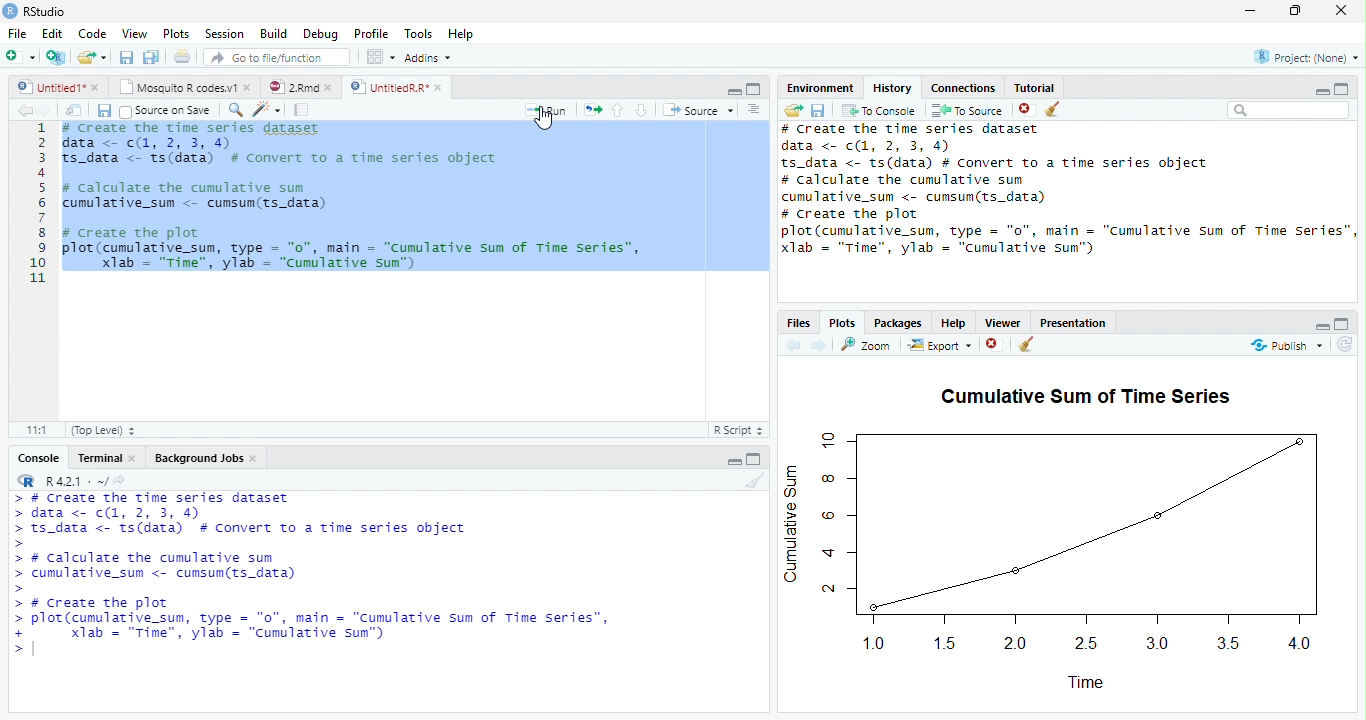 This screenshot has height=720, width=1366. I want to click on Code Refactor, so click(269, 109).